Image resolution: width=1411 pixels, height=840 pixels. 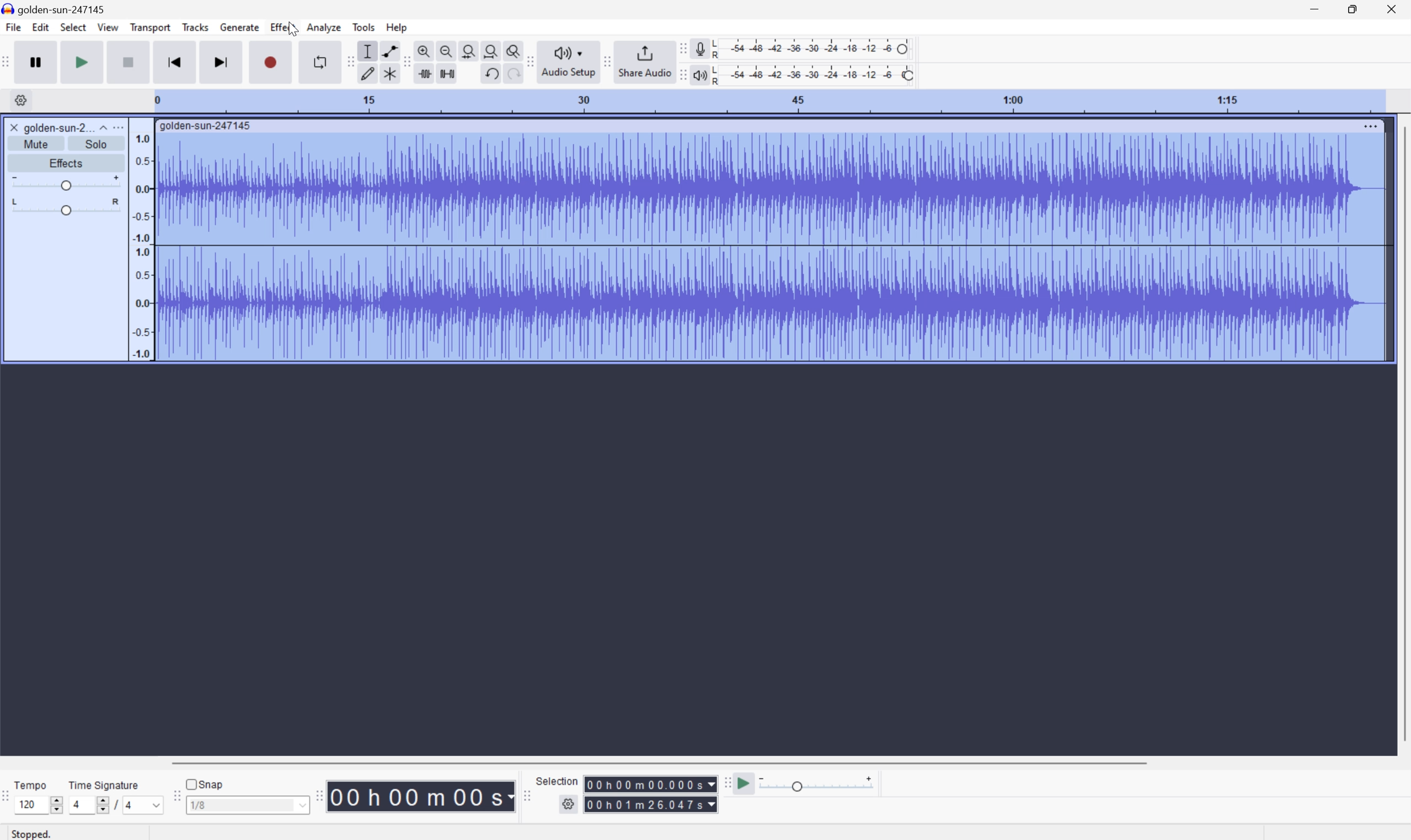 I want to click on golden-sun-2..., so click(x=65, y=127).